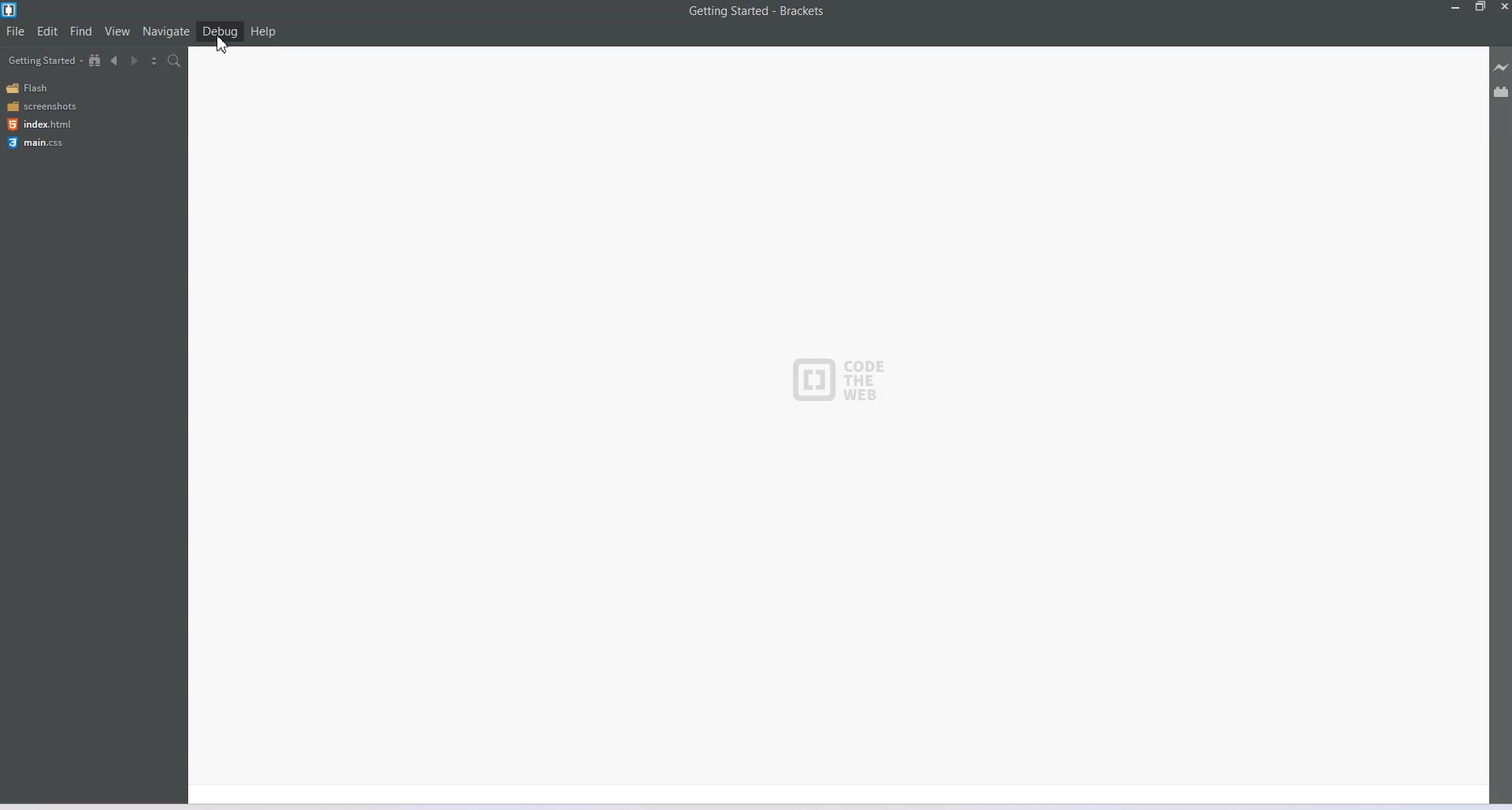  I want to click on Find, so click(82, 31).